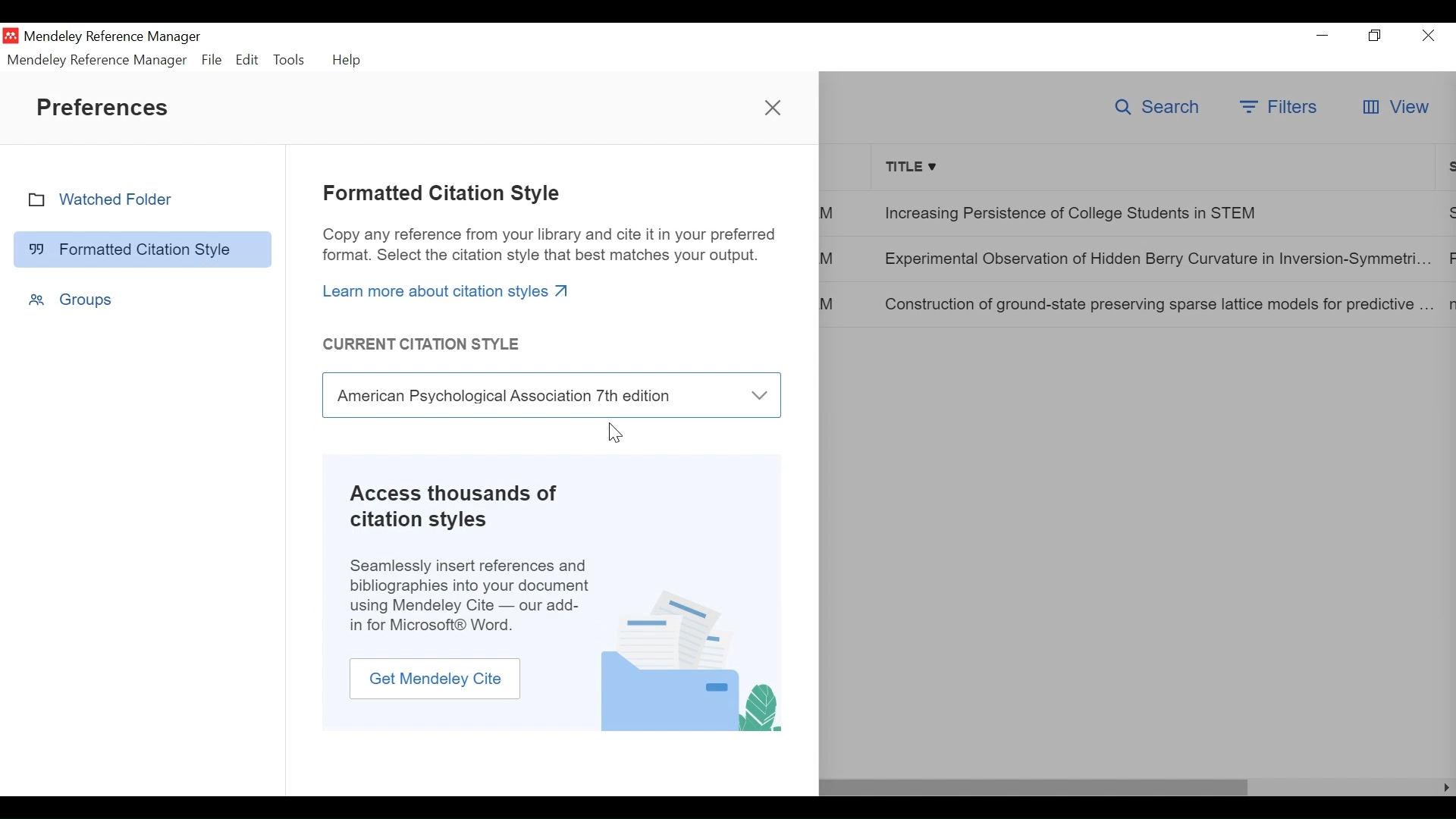  What do you see at coordinates (116, 37) in the screenshot?
I see `Mendeley Reference Manager` at bounding box center [116, 37].